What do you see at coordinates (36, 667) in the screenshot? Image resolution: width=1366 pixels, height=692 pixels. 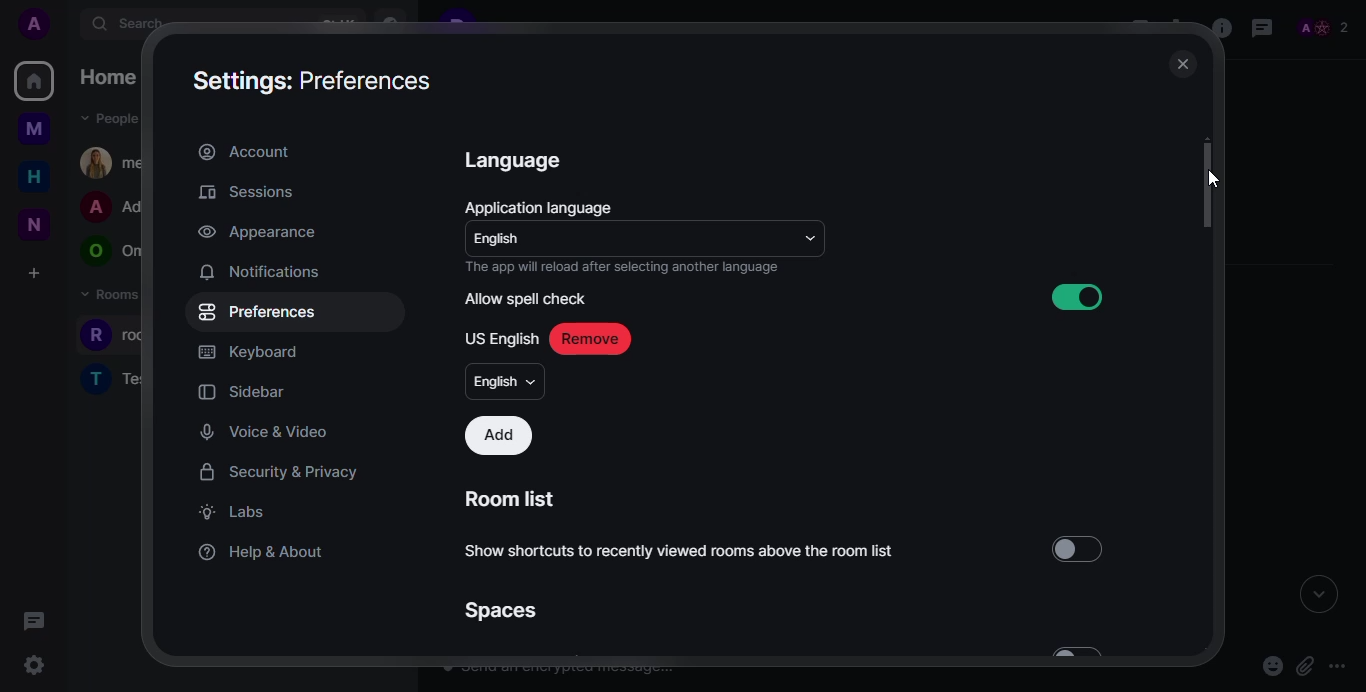 I see `Settings` at bounding box center [36, 667].